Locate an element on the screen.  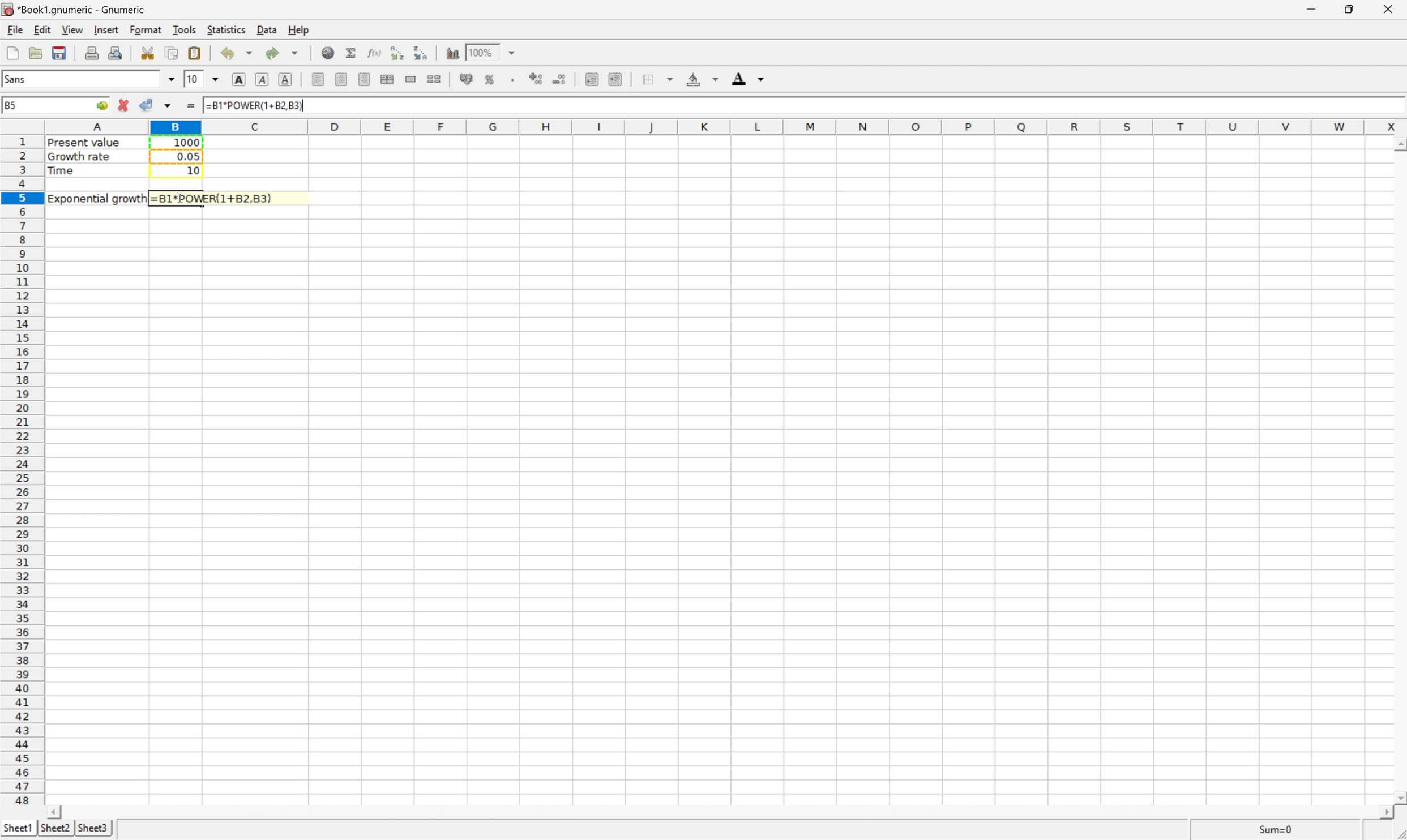
Increase indent, and align the contents to the left is located at coordinates (421, 53).